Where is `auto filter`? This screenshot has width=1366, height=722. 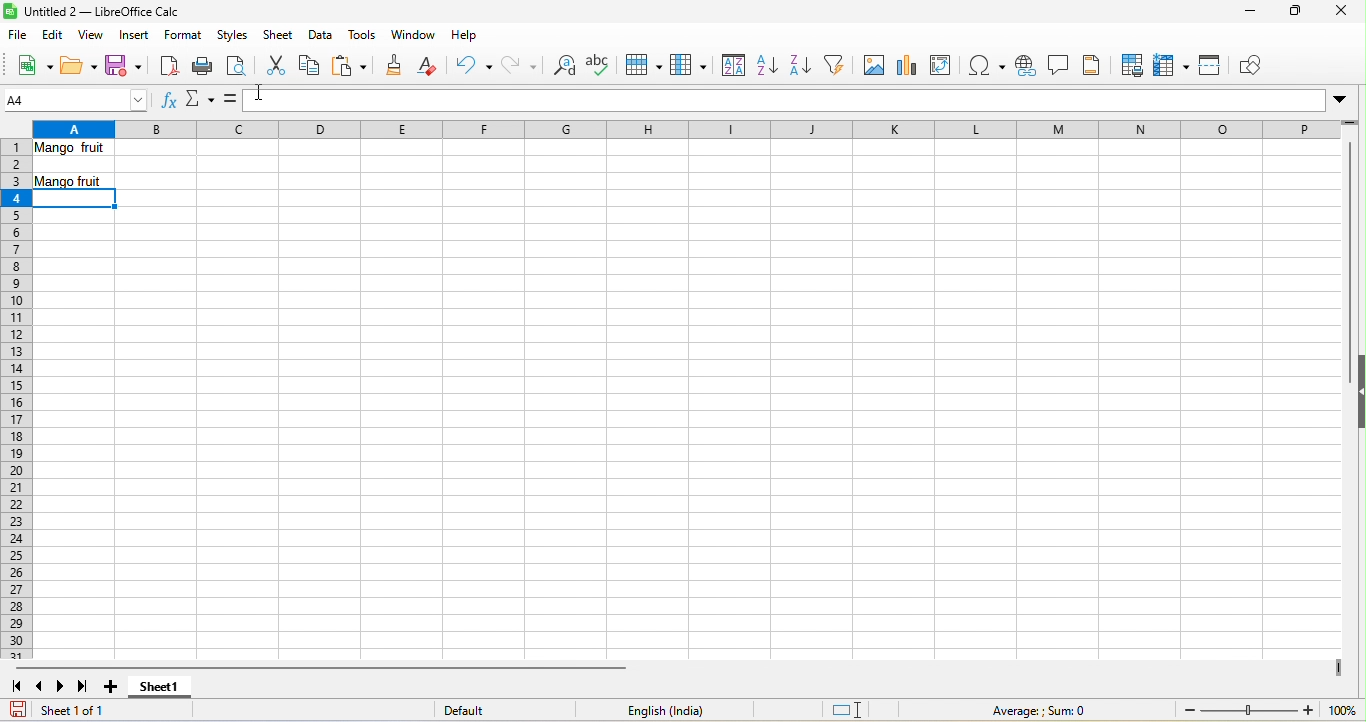
auto filter is located at coordinates (837, 67).